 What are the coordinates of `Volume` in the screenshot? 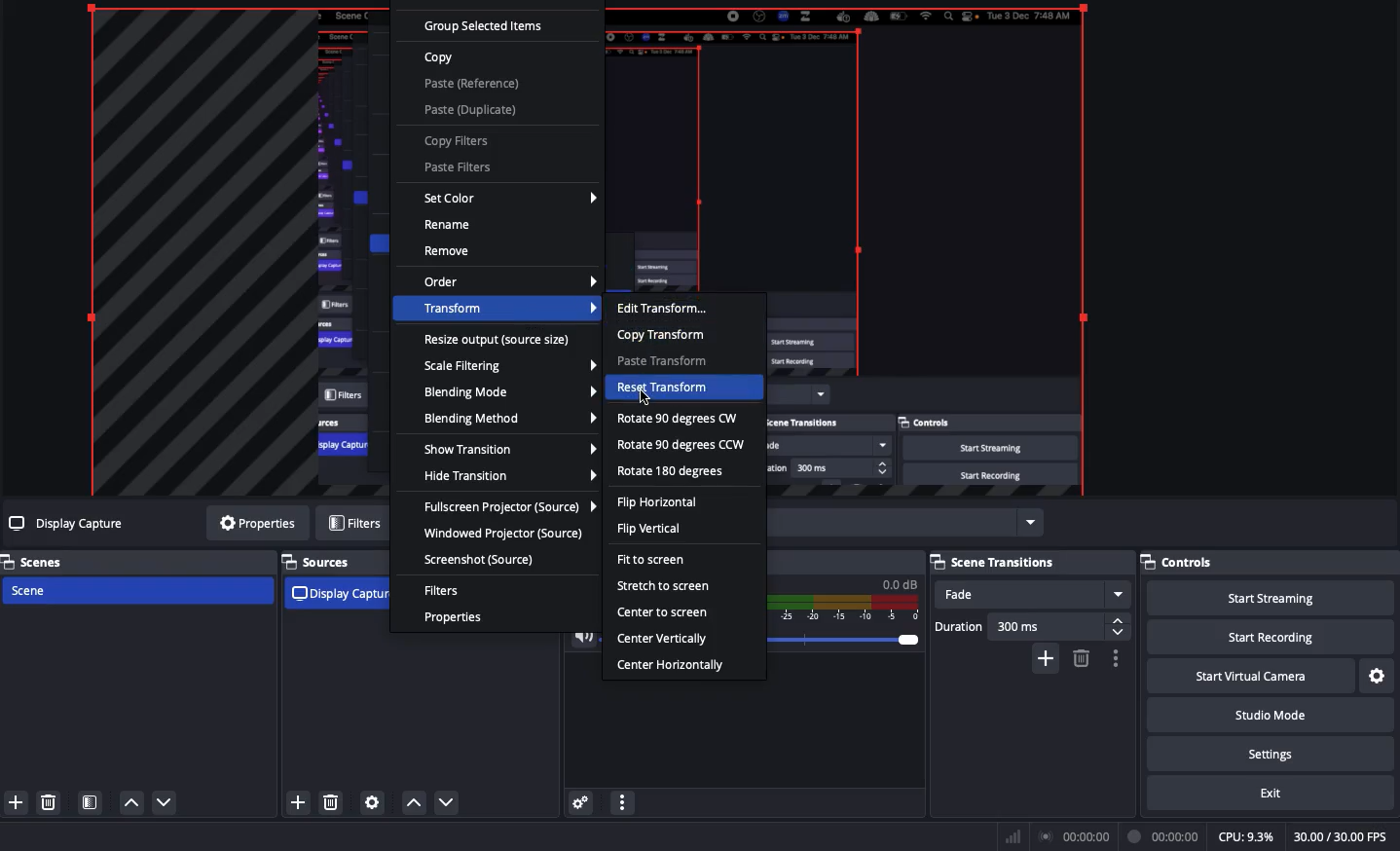 It's located at (593, 637).